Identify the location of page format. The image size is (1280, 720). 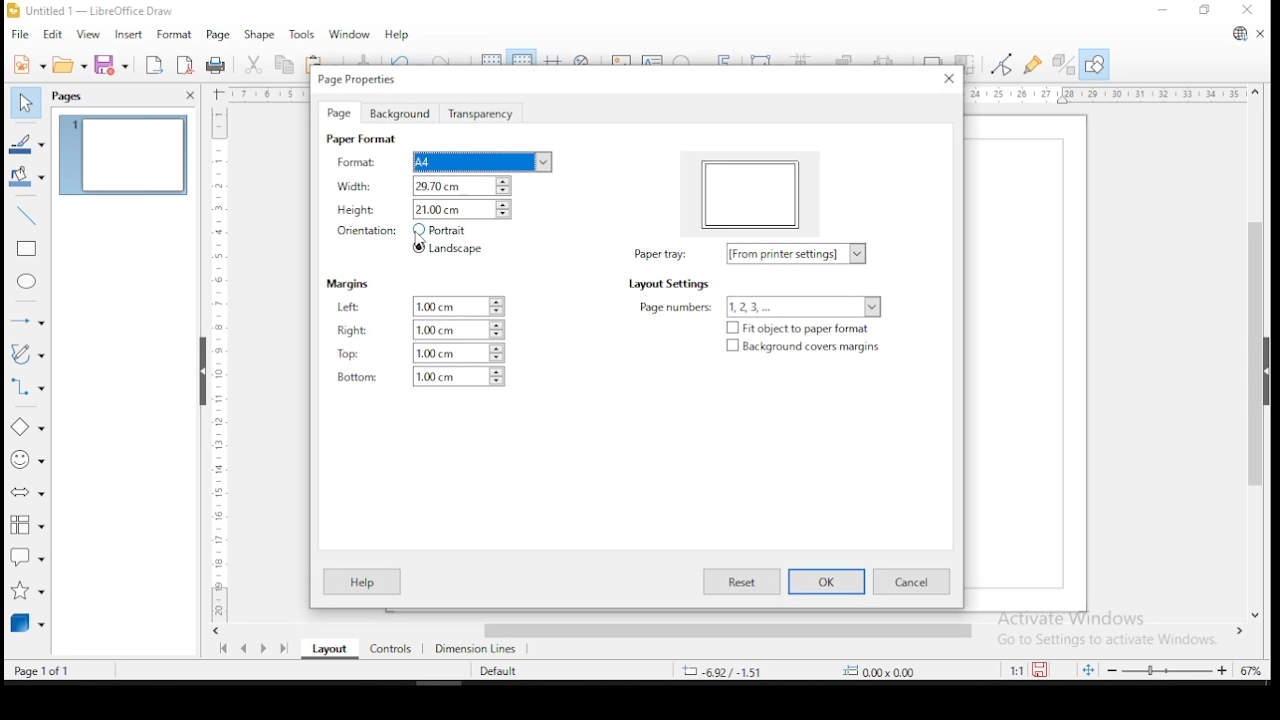
(361, 139).